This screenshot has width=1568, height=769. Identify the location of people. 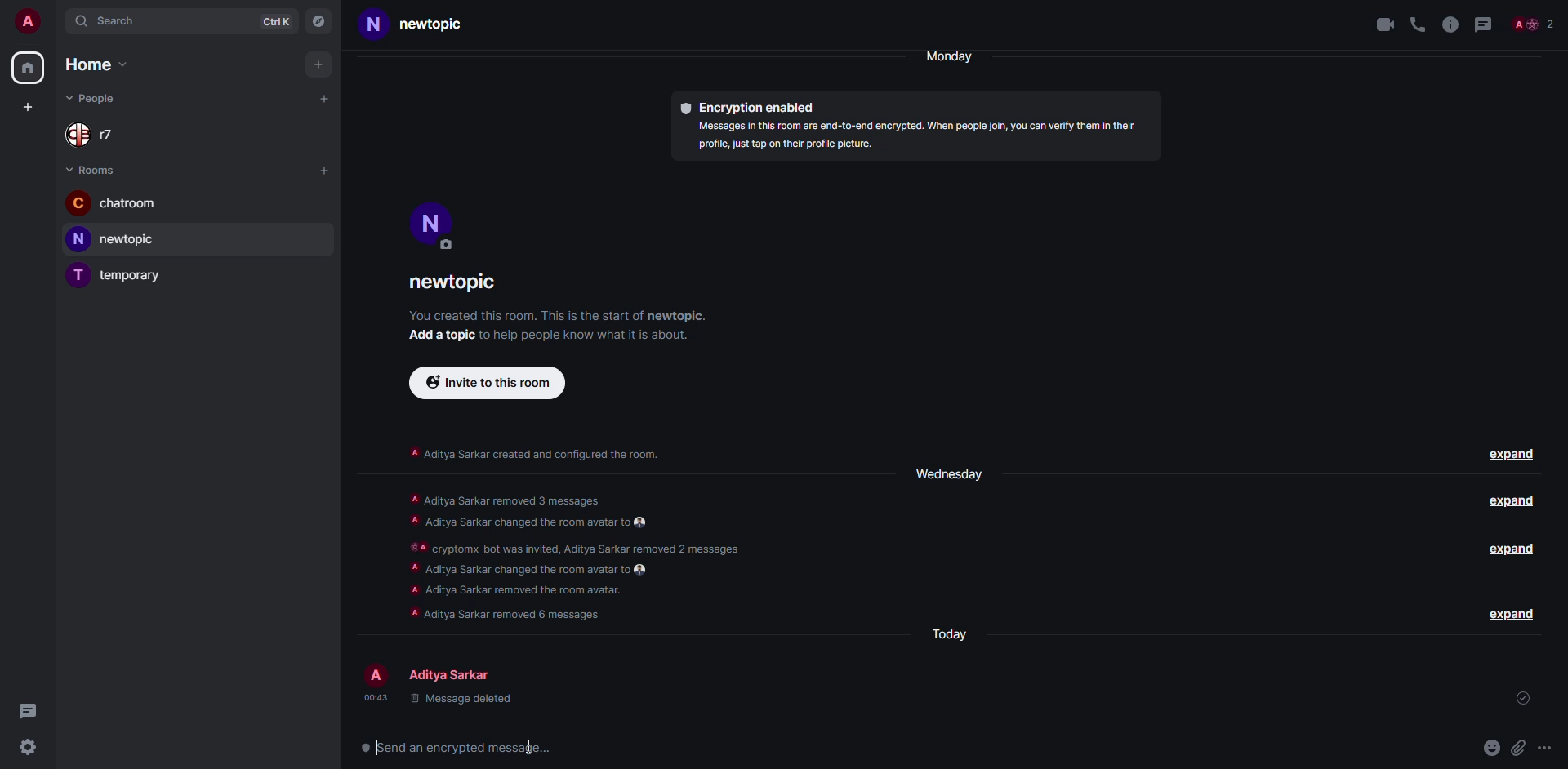
(98, 134).